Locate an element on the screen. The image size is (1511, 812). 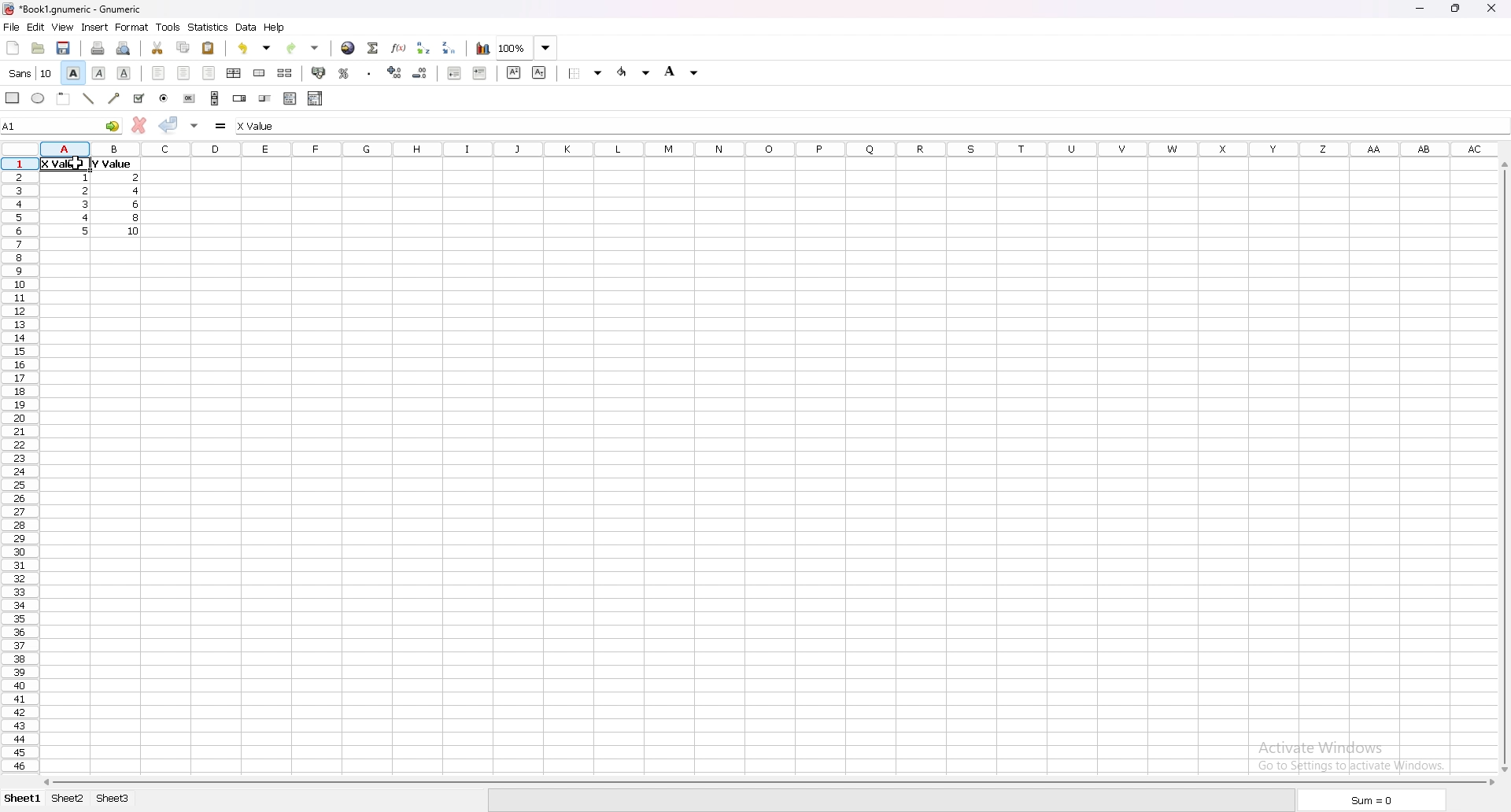
file is located at coordinates (11, 28).